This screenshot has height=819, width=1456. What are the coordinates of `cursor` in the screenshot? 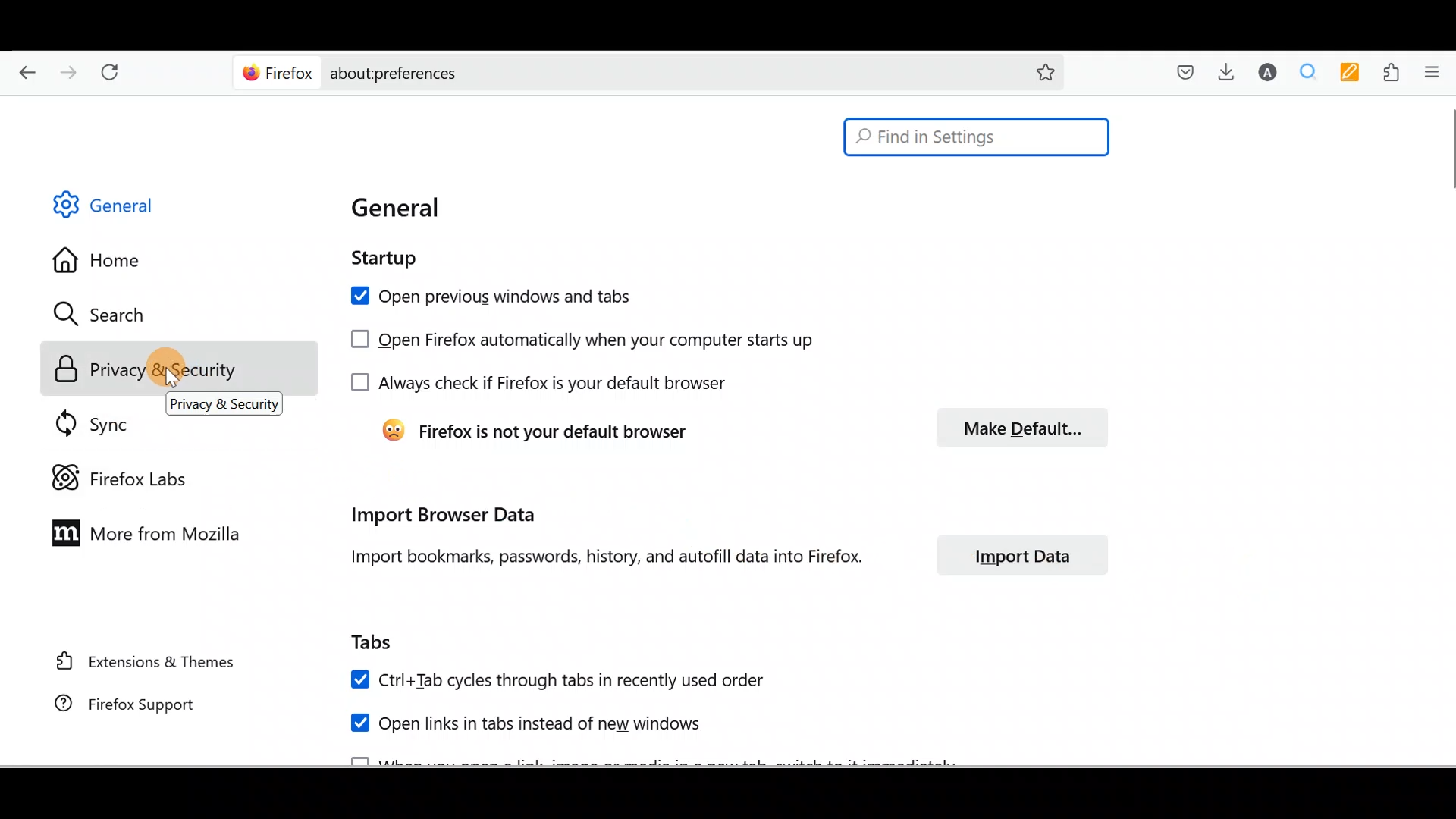 It's located at (1447, 152).